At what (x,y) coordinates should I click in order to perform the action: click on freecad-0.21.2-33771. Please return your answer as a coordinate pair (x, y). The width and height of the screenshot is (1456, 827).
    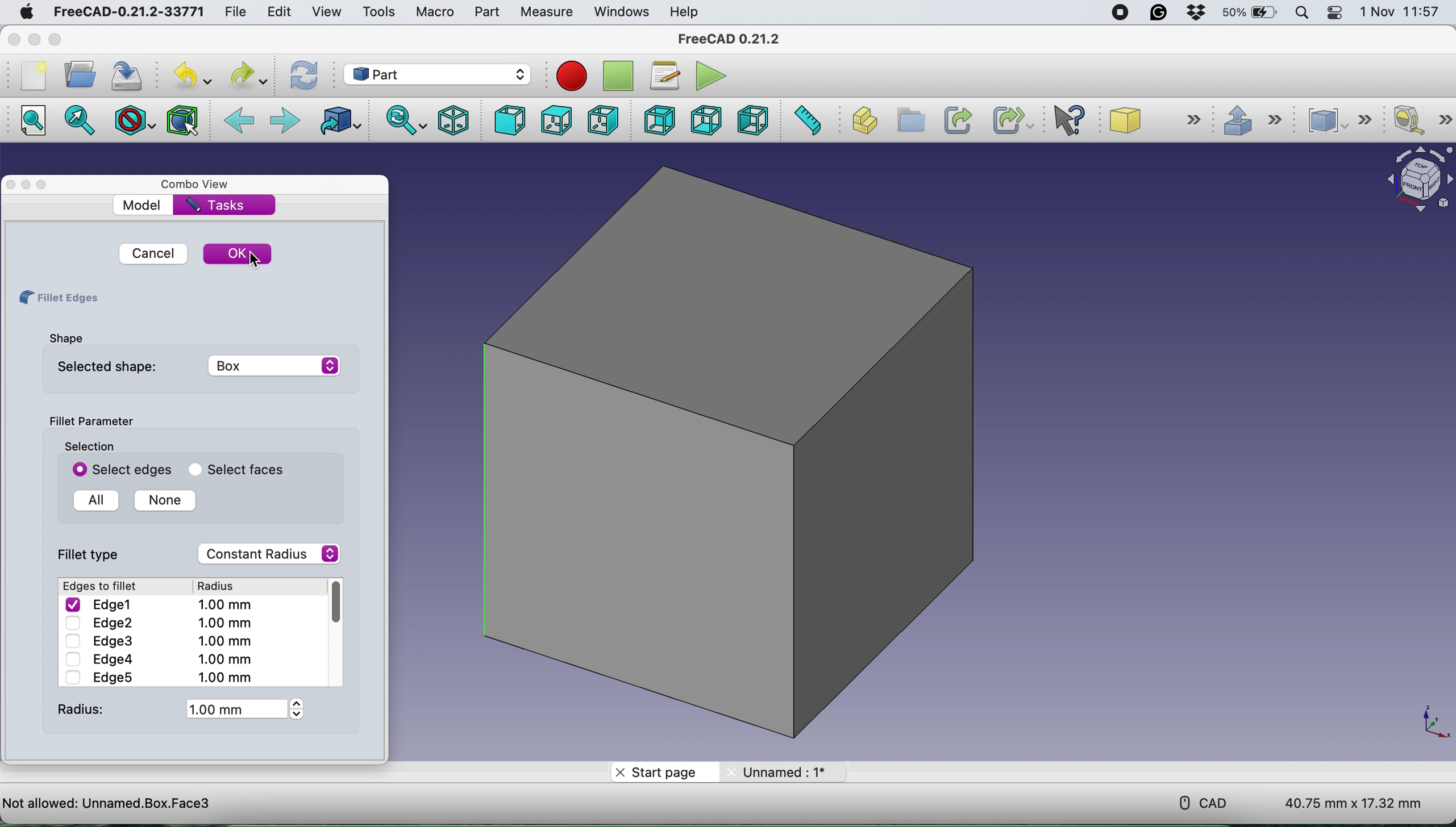
    Looking at the image, I should click on (125, 12).